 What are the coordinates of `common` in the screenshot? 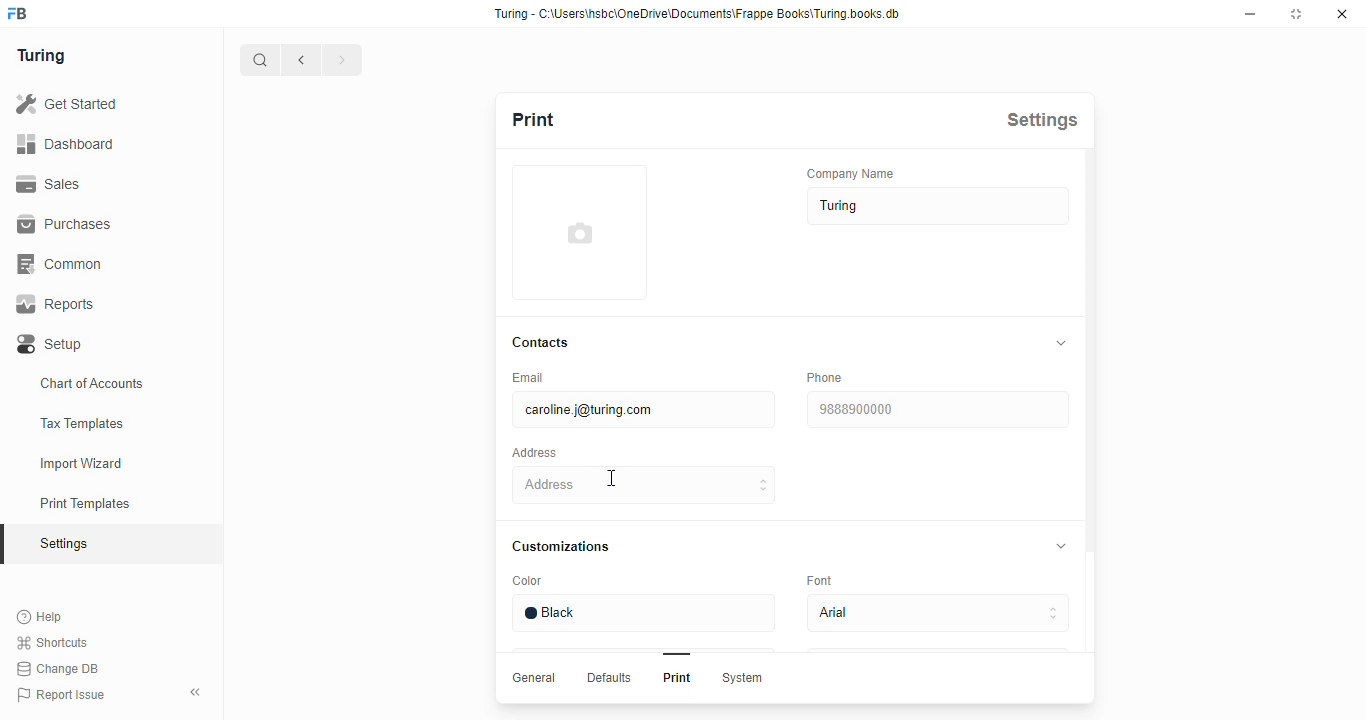 It's located at (62, 264).